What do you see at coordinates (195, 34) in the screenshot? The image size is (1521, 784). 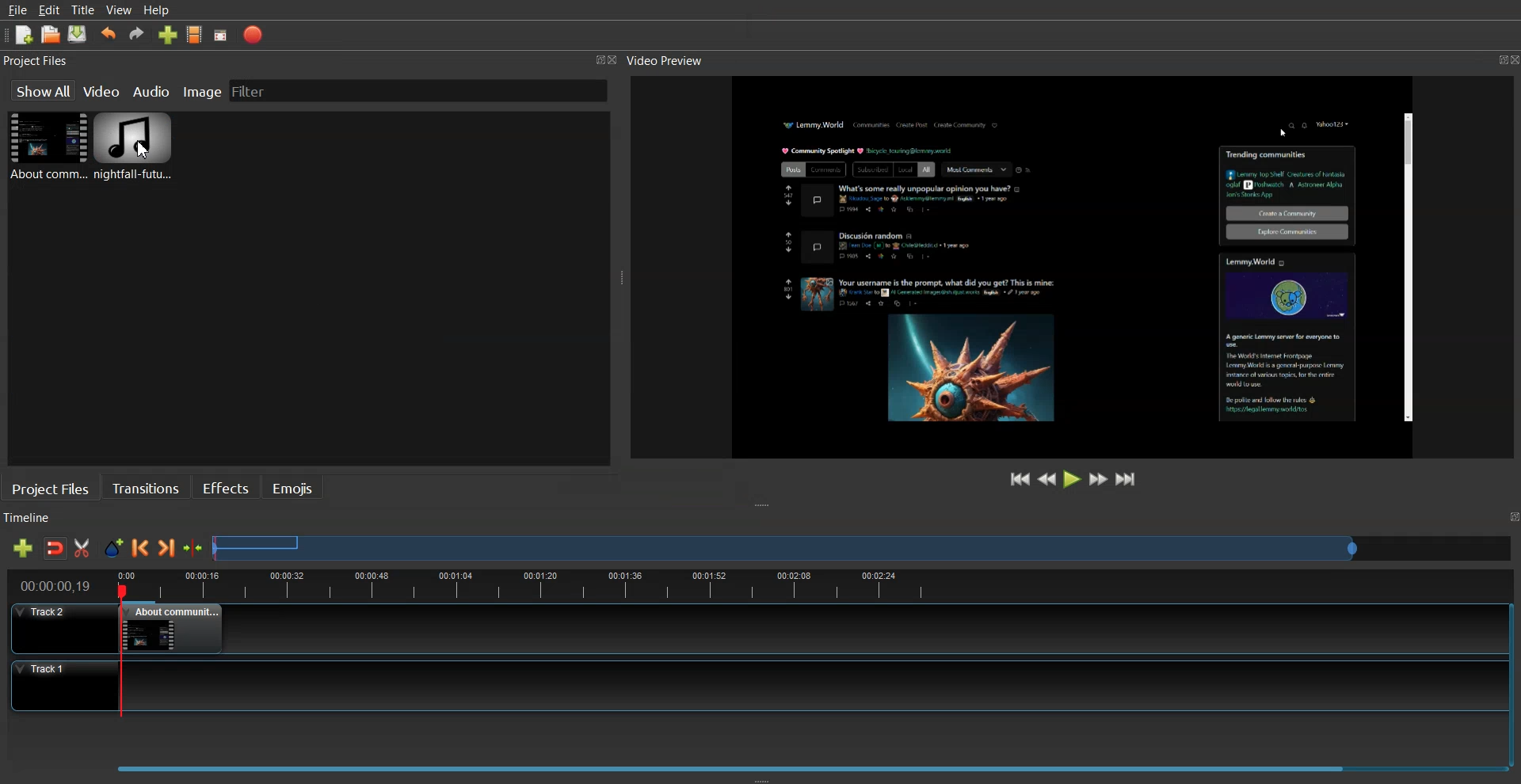 I see `Choose Profile` at bounding box center [195, 34].